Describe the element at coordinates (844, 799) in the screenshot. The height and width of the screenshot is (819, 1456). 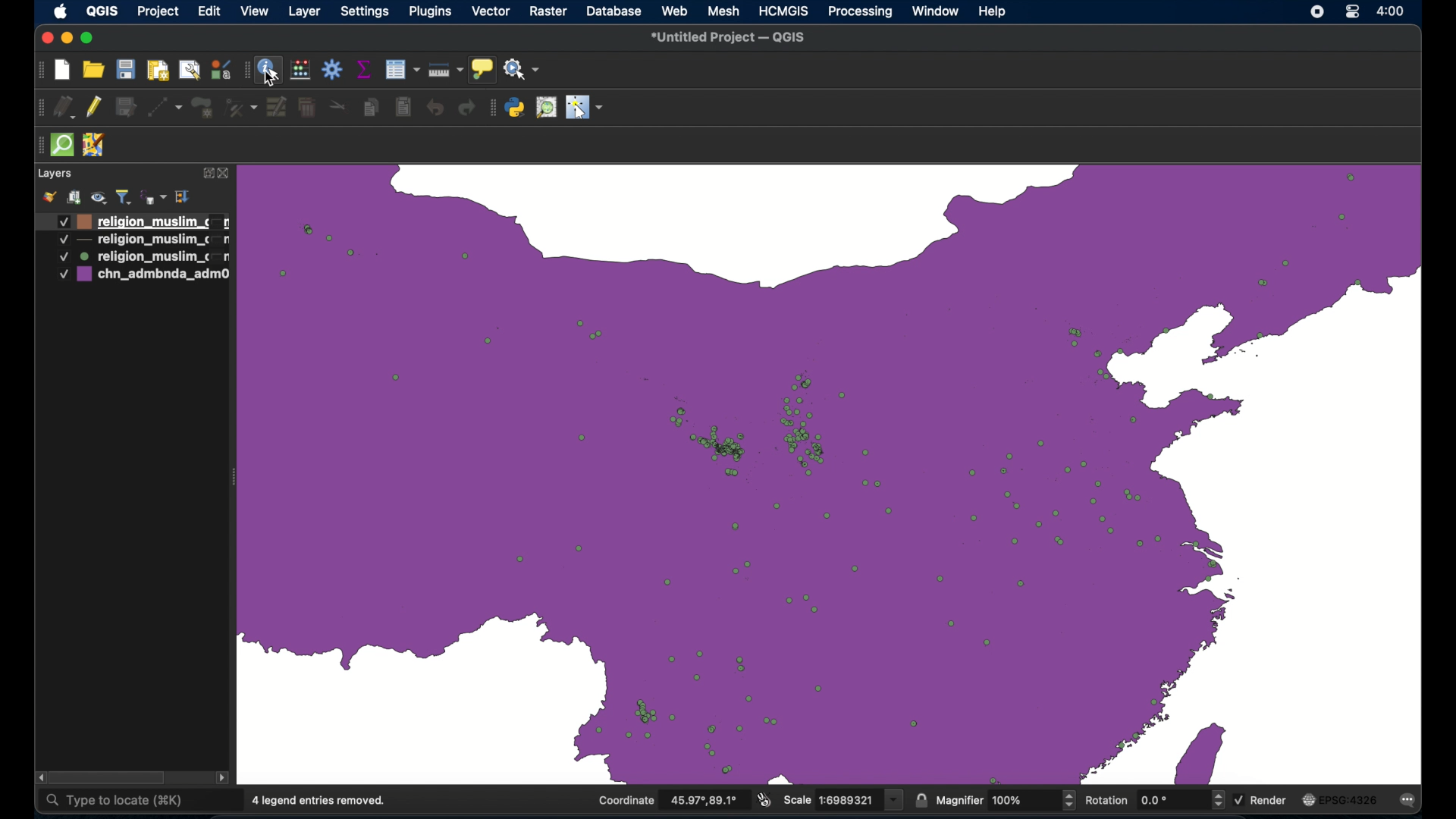
I see `scale` at that location.